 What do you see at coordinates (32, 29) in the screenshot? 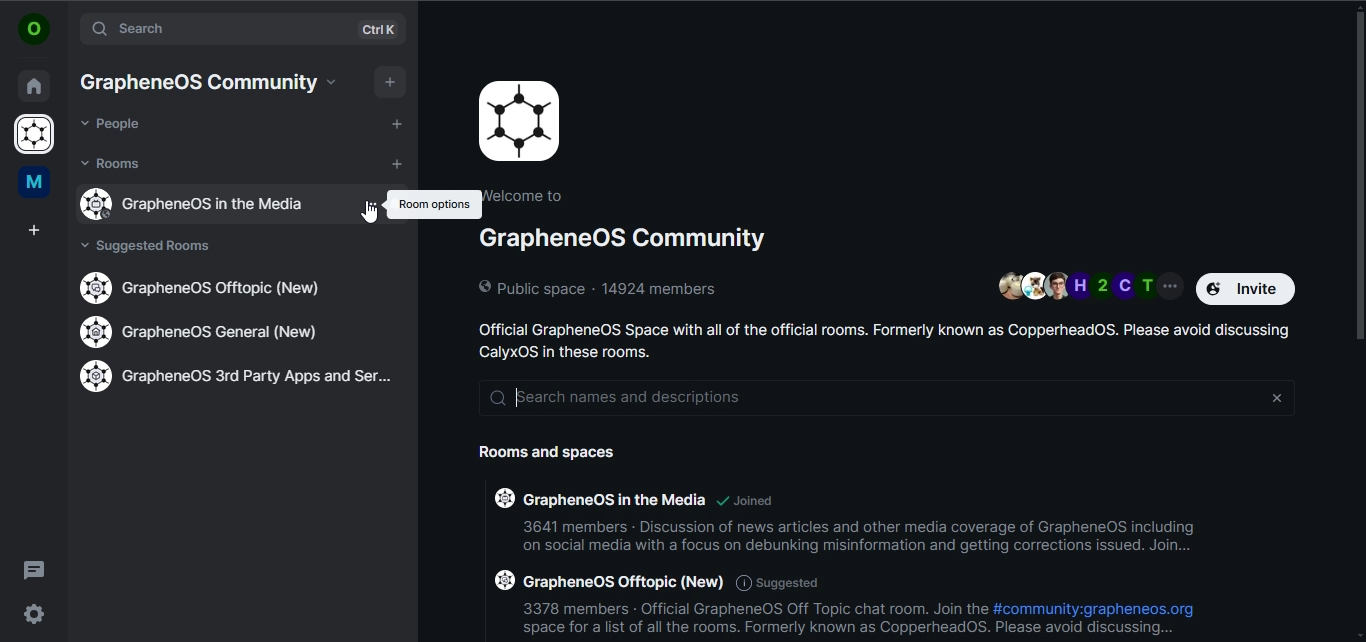
I see `view profile` at bounding box center [32, 29].